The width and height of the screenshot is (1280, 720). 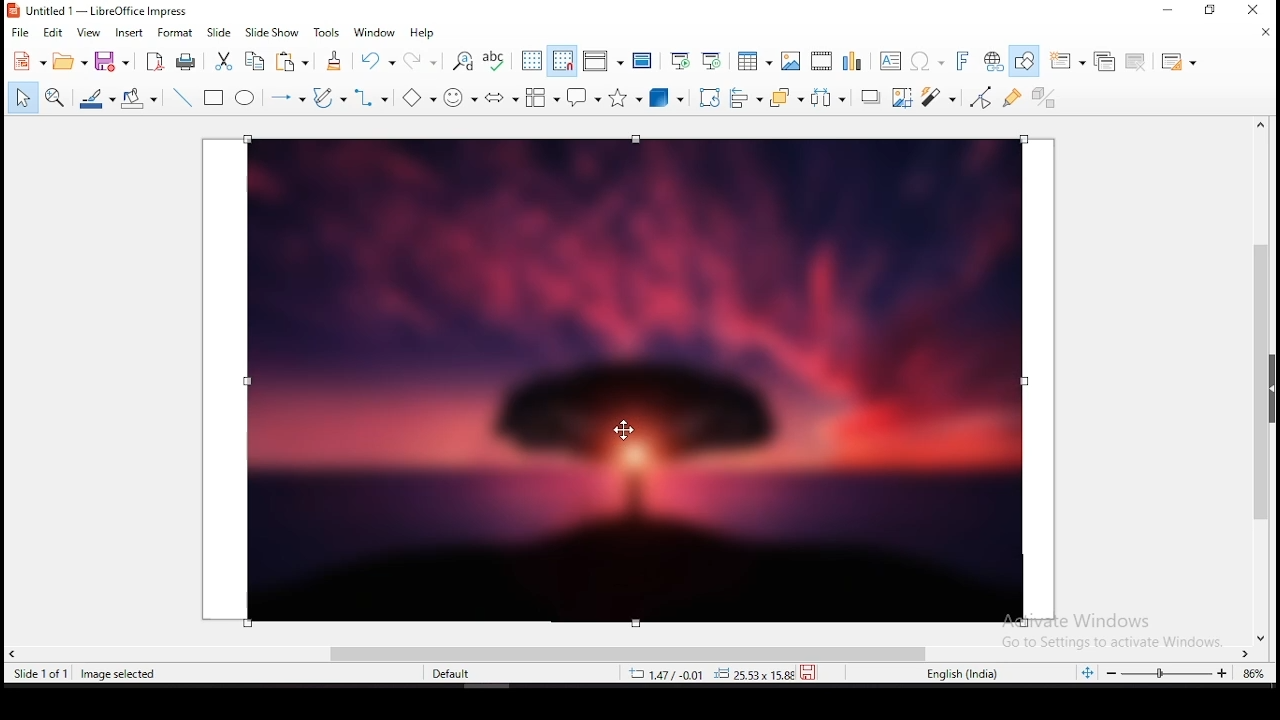 What do you see at coordinates (1028, 60) in the screenshot?
I see `show draw functions` at bounding box center [1028, 60].